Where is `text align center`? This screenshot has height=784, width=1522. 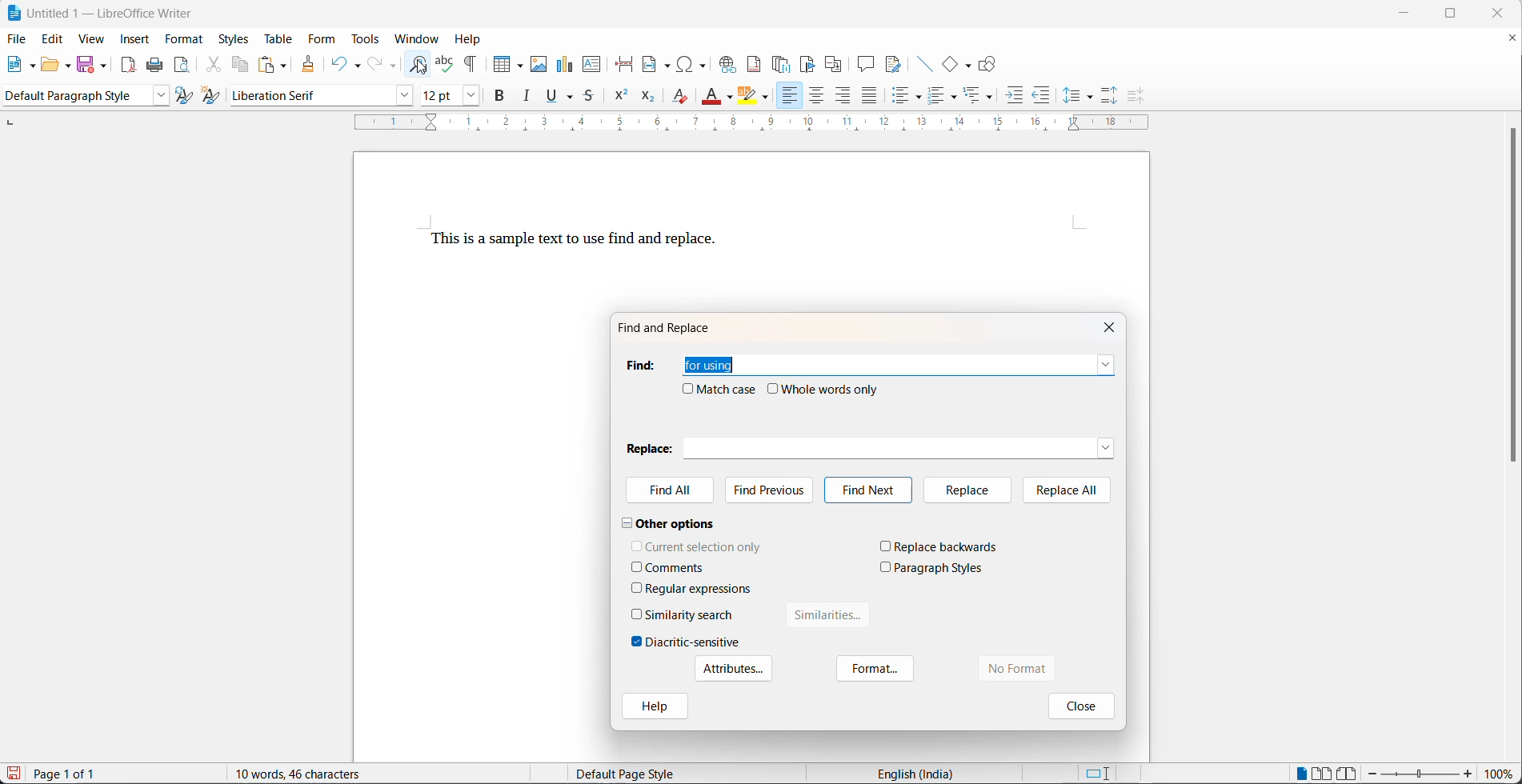
text align center is located at coordinates (817, 97).